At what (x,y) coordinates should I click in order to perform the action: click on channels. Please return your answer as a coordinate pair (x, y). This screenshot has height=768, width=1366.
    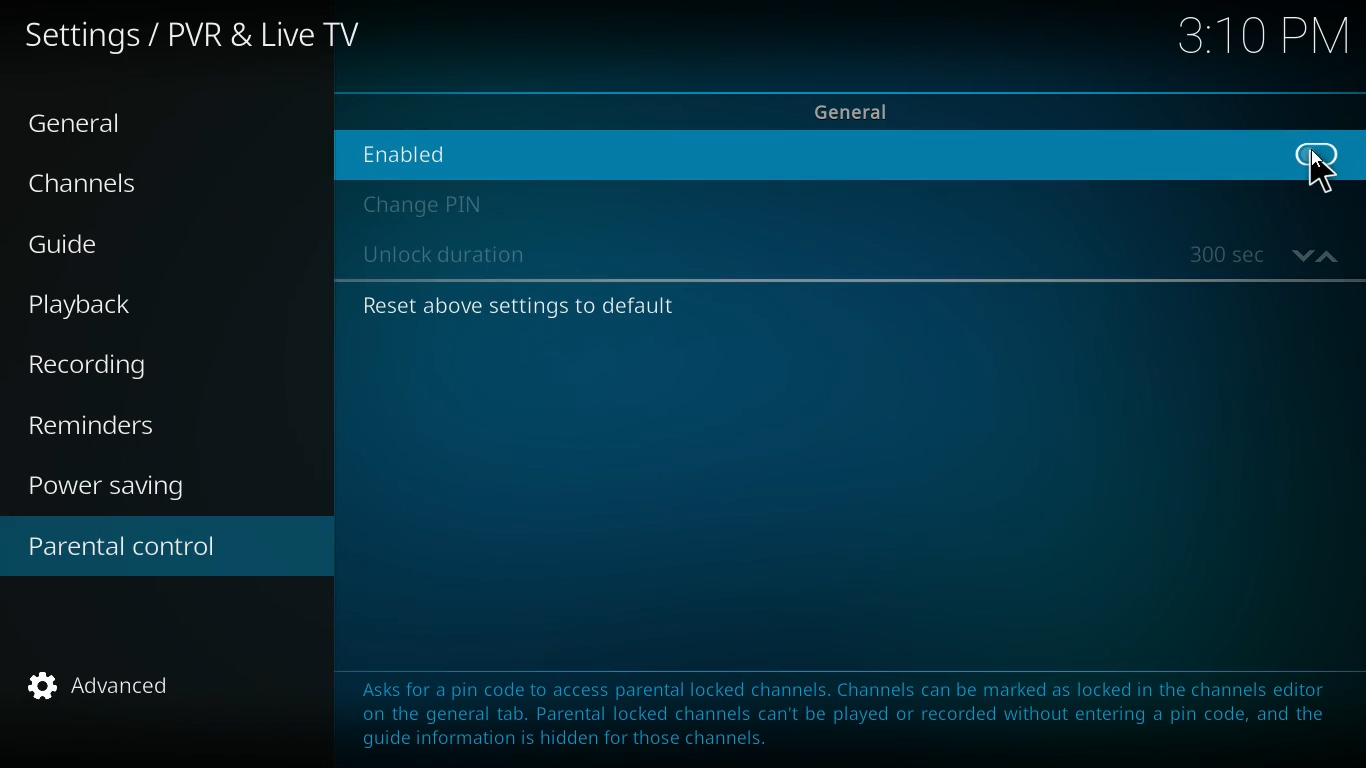
    Looking at the image, I should click on (101, 188).